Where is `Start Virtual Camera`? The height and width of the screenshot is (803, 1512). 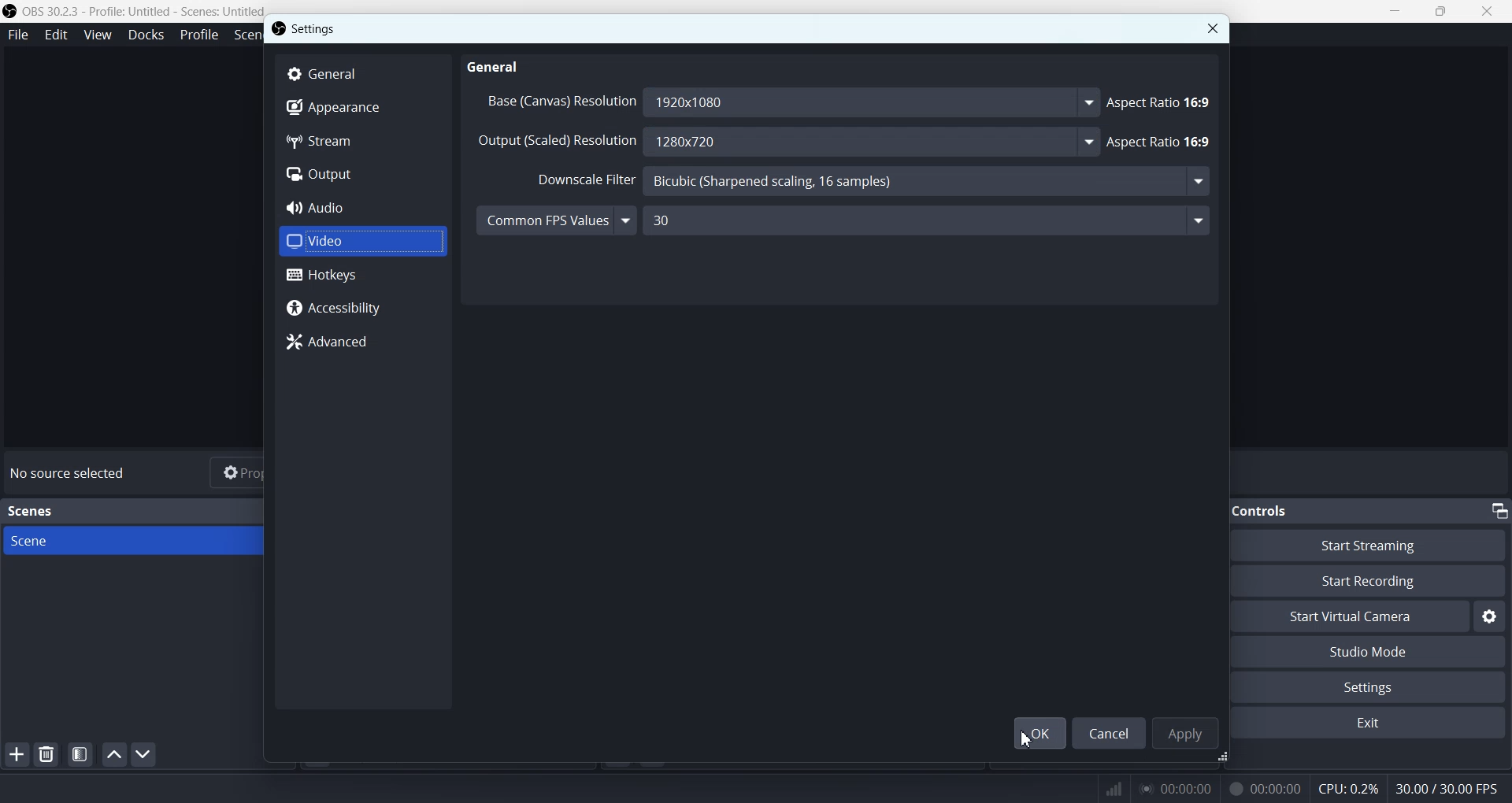
Start Virtual Camera is located at coordinates (1358, 616).